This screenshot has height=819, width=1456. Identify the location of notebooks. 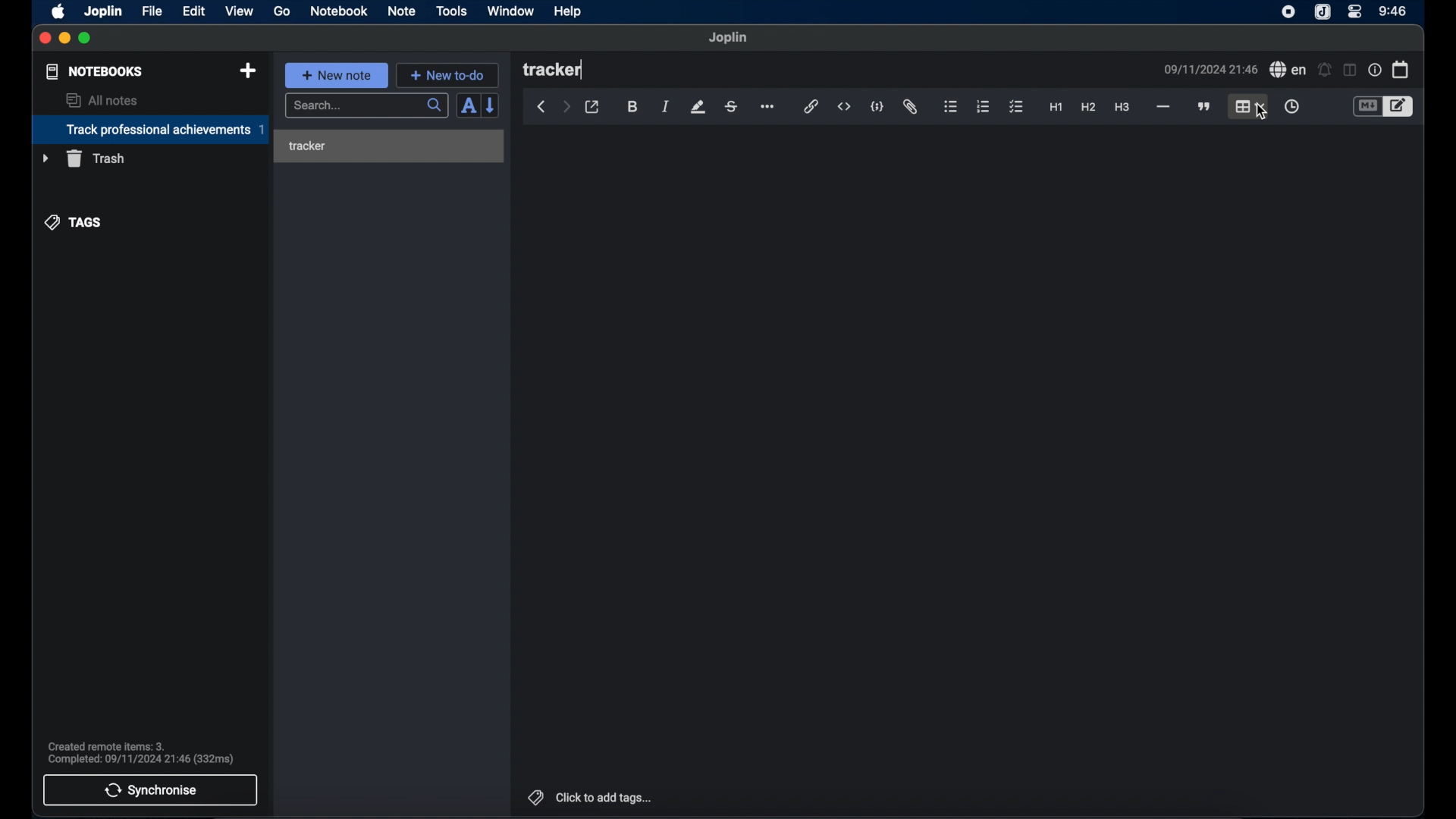
(93, 71).